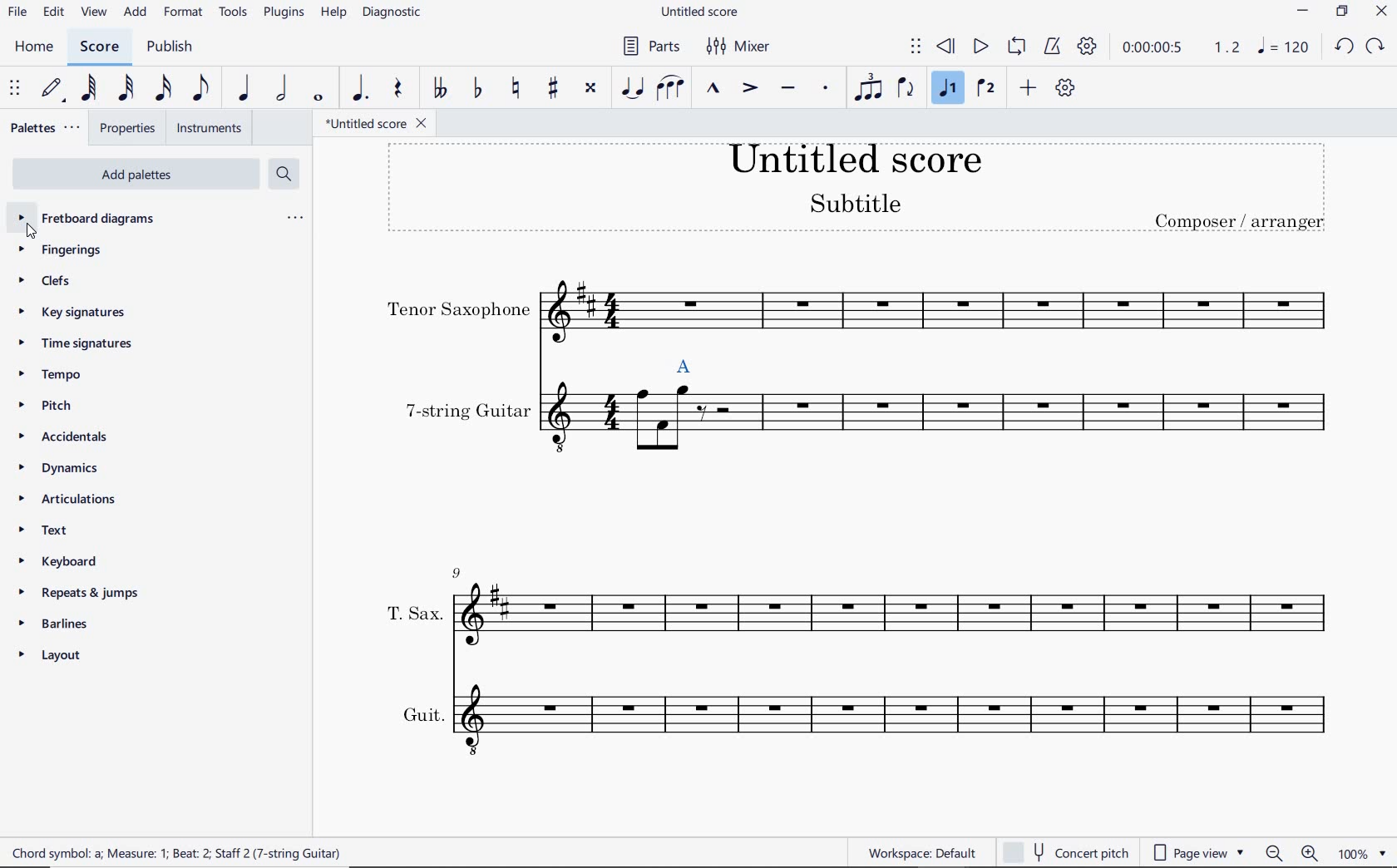 This screenshot has height=868, width=1397. What do you see at coordinates (402, 88) in the screenshot?
I see `REST` at bounding box center [402, 88].